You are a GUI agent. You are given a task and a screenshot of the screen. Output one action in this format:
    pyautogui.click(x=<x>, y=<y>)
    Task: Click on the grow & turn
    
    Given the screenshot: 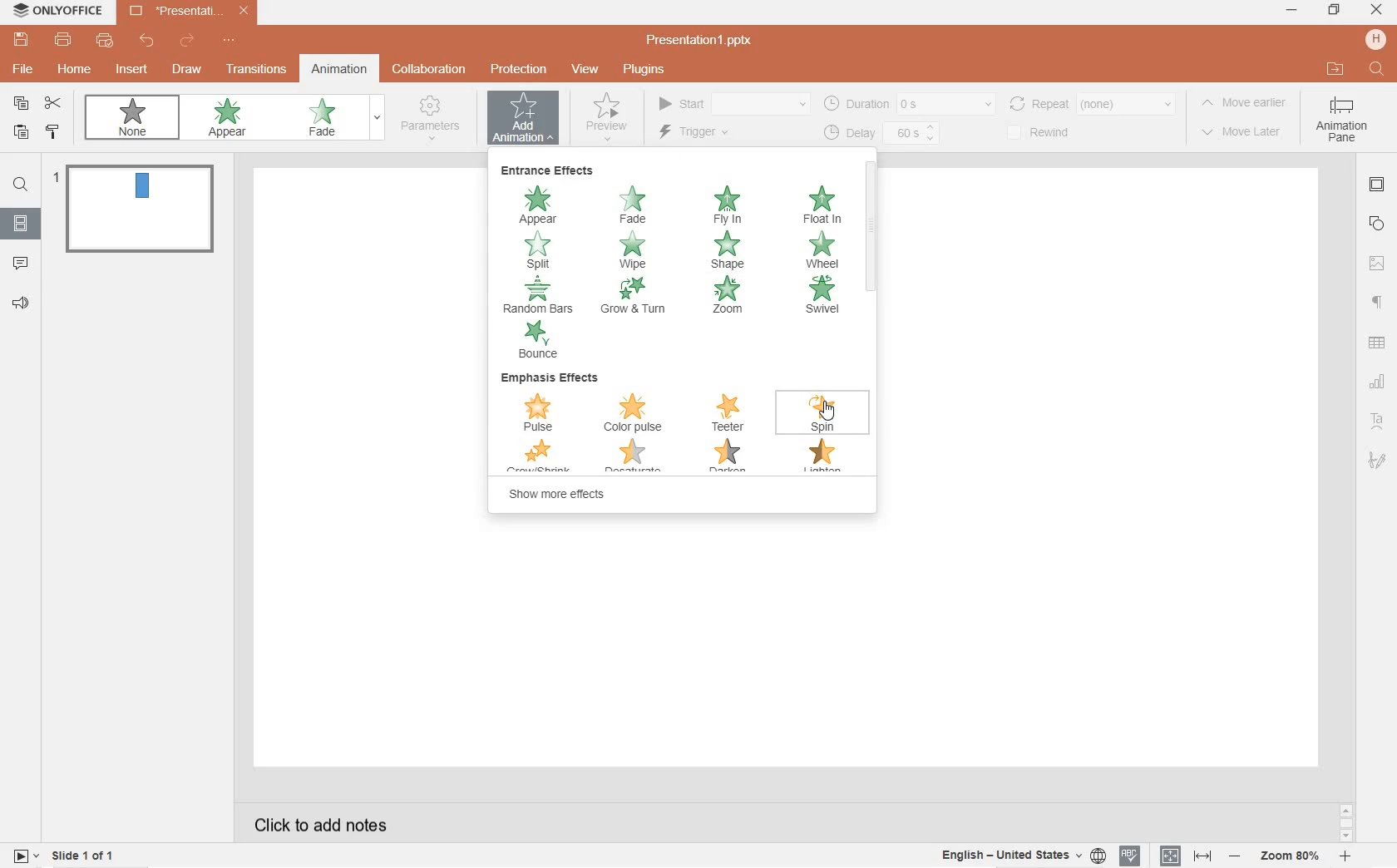 What is the action you would take?
    pyautogui.click(x=641, y=297)
    